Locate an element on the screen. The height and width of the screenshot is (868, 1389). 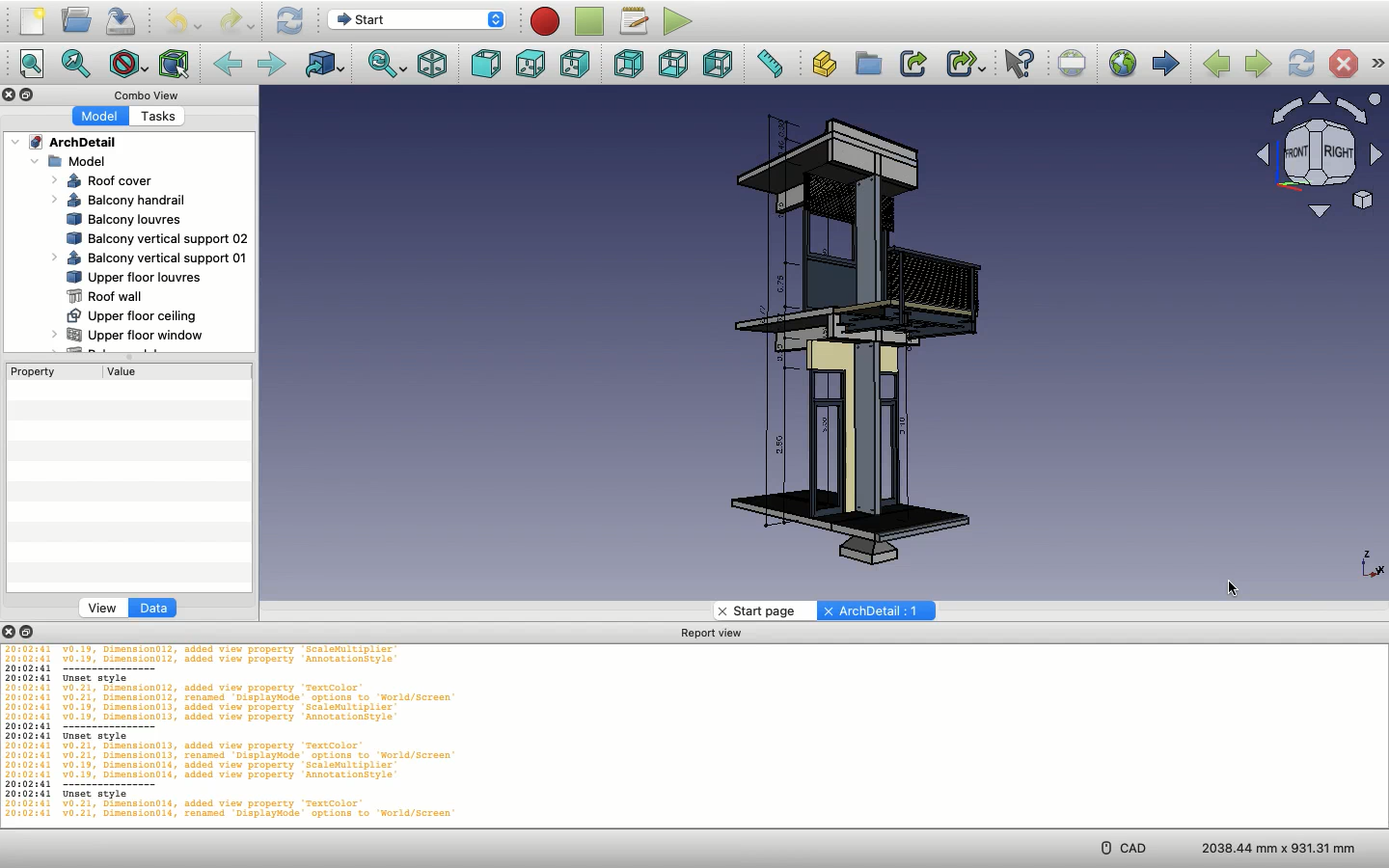
Stop loading is located at coordinates (1343, 64).